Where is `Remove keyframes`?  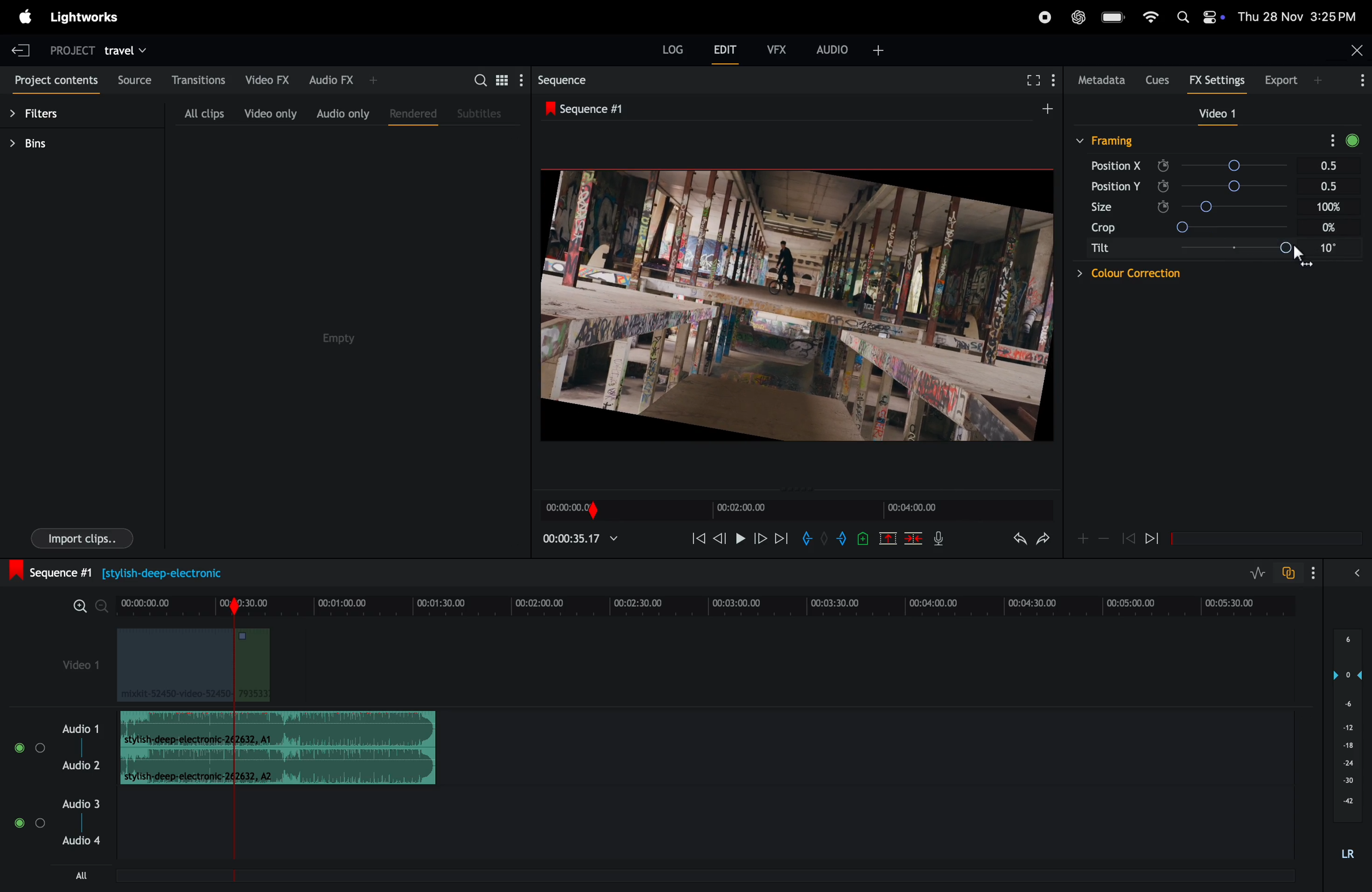 Remove keyframes is located at coordinates (1105, 542).